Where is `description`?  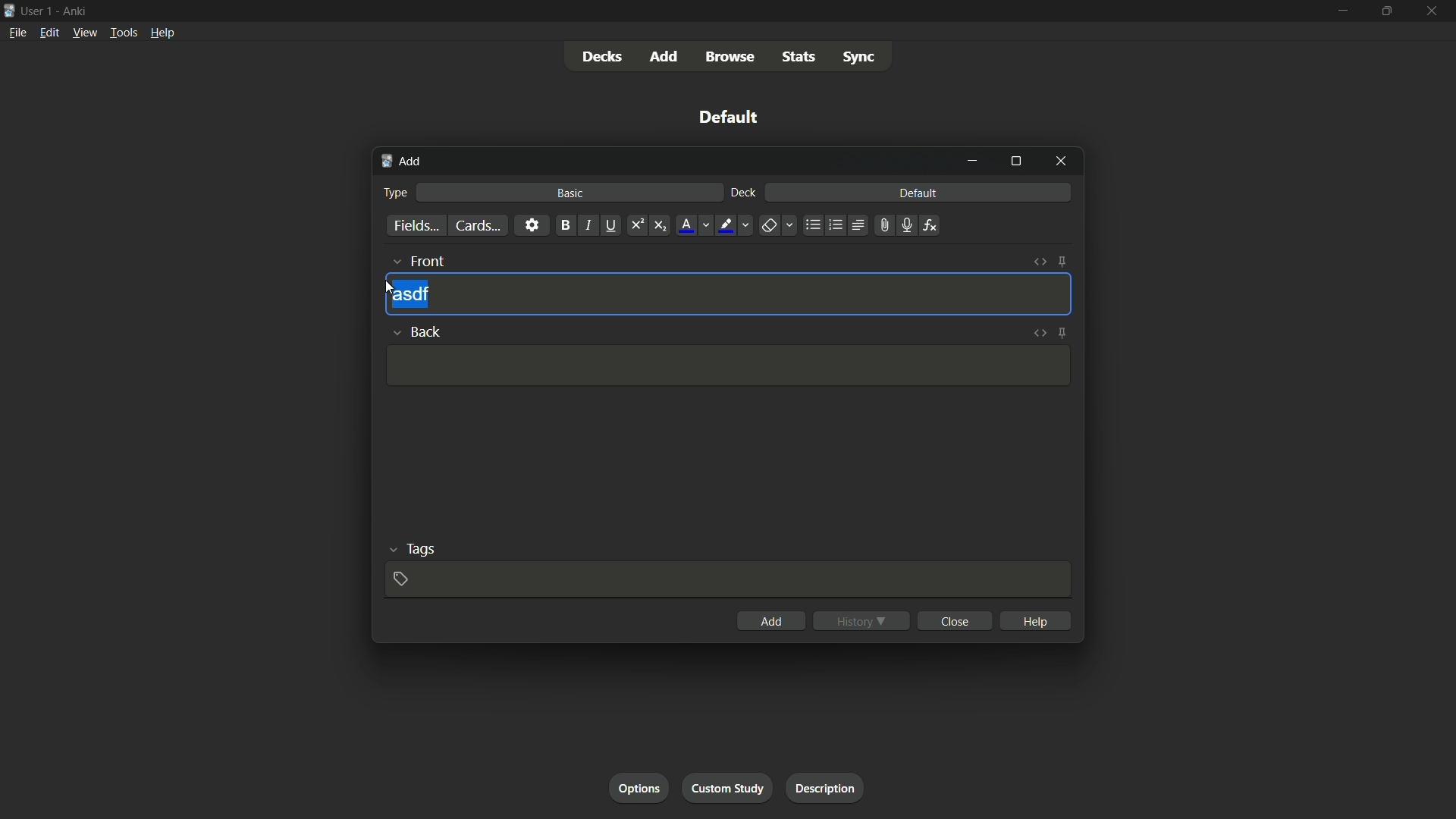
description is located at coordinates (826, 788).